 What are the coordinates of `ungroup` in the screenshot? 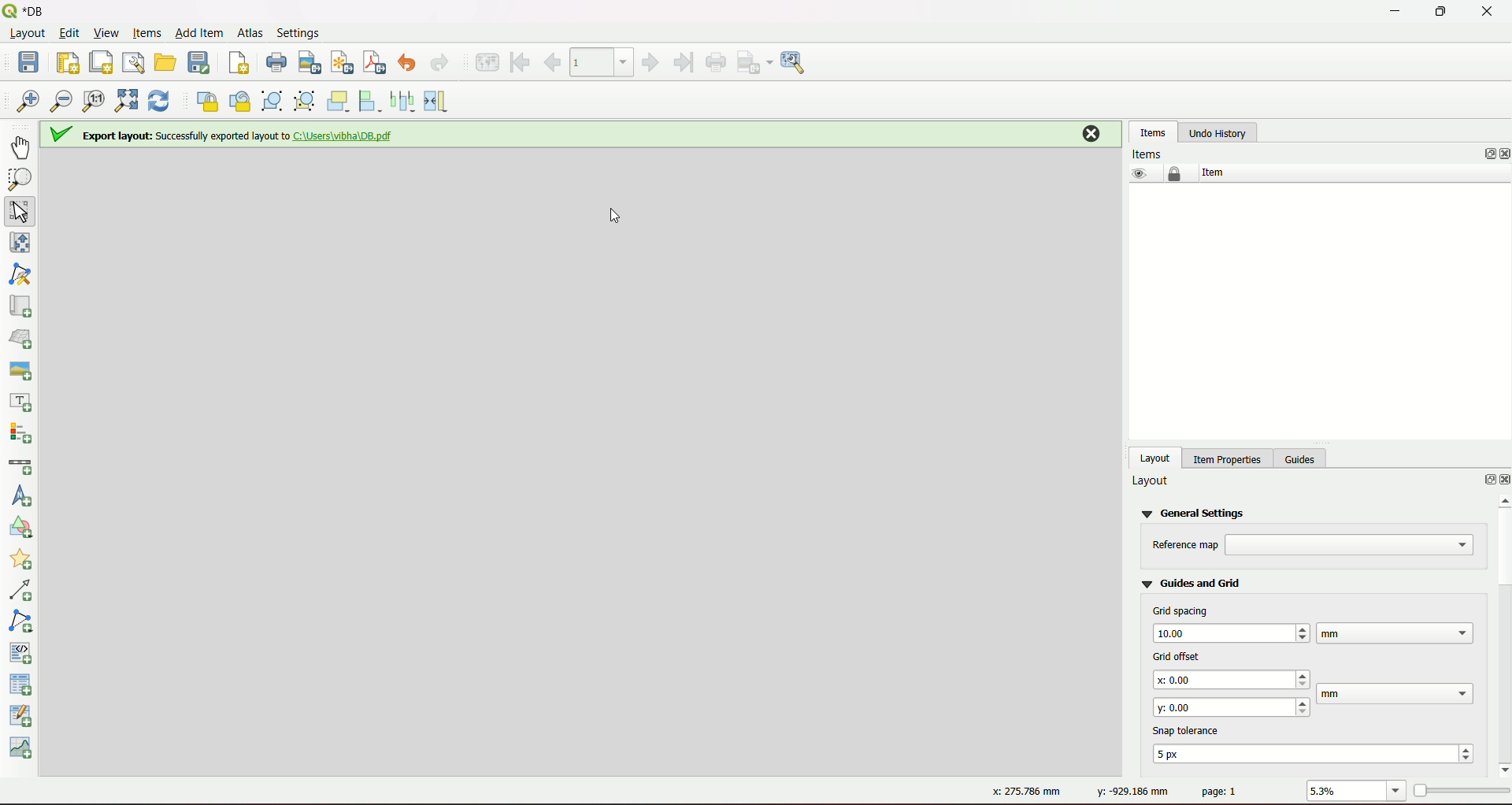 It's located at (306, 102).